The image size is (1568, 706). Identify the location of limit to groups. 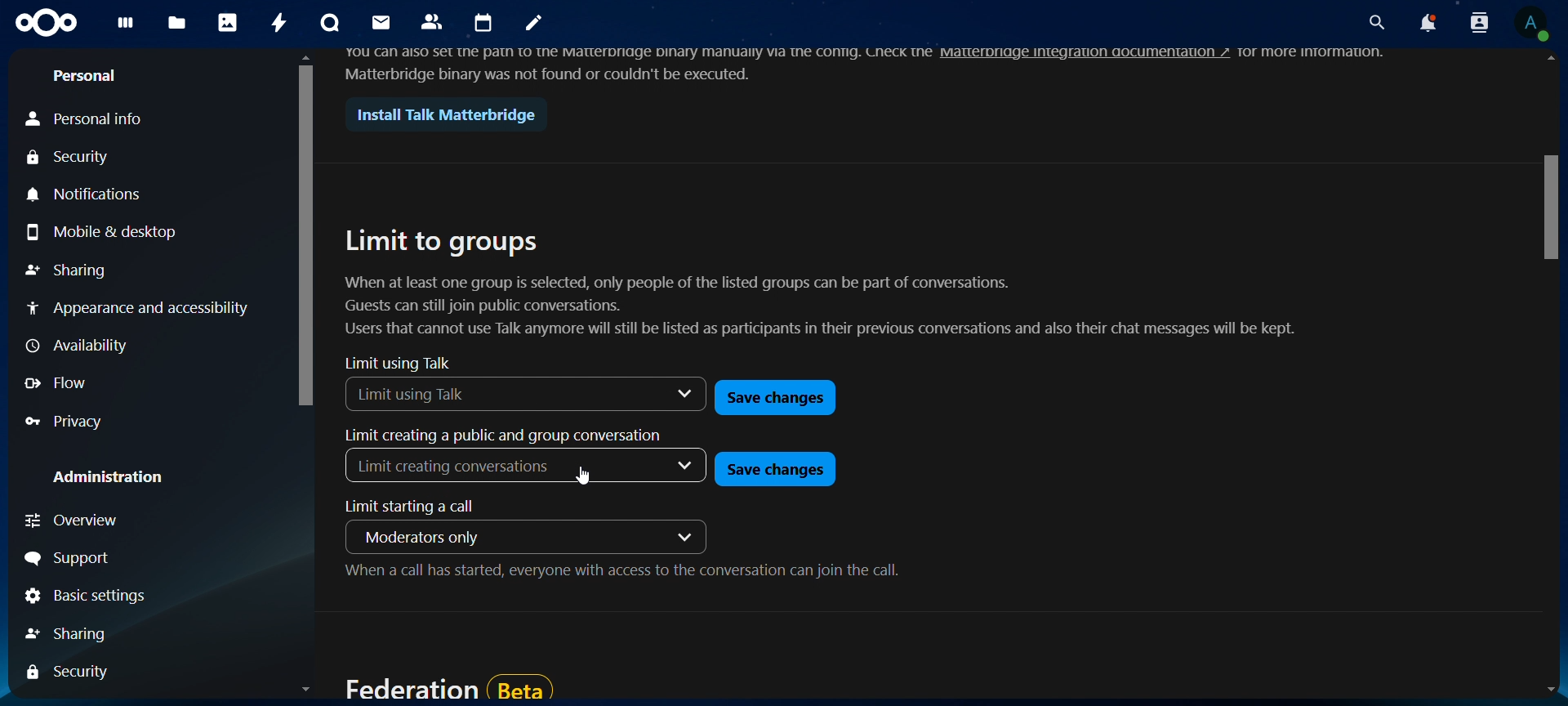
(442, 242).